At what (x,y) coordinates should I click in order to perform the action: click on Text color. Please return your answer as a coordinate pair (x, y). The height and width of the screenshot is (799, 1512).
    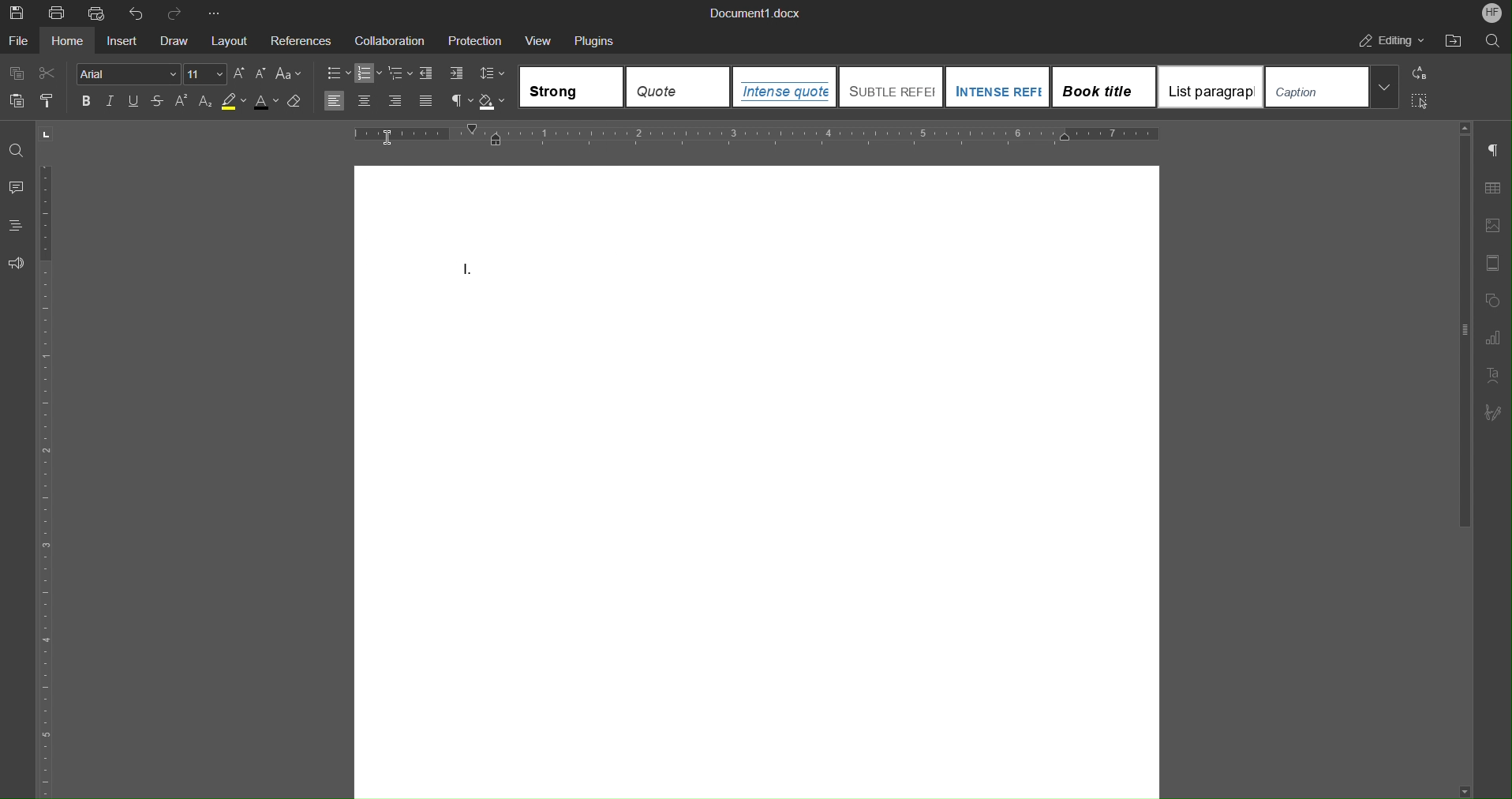
    Looking at the image, I should click on (266, 103).